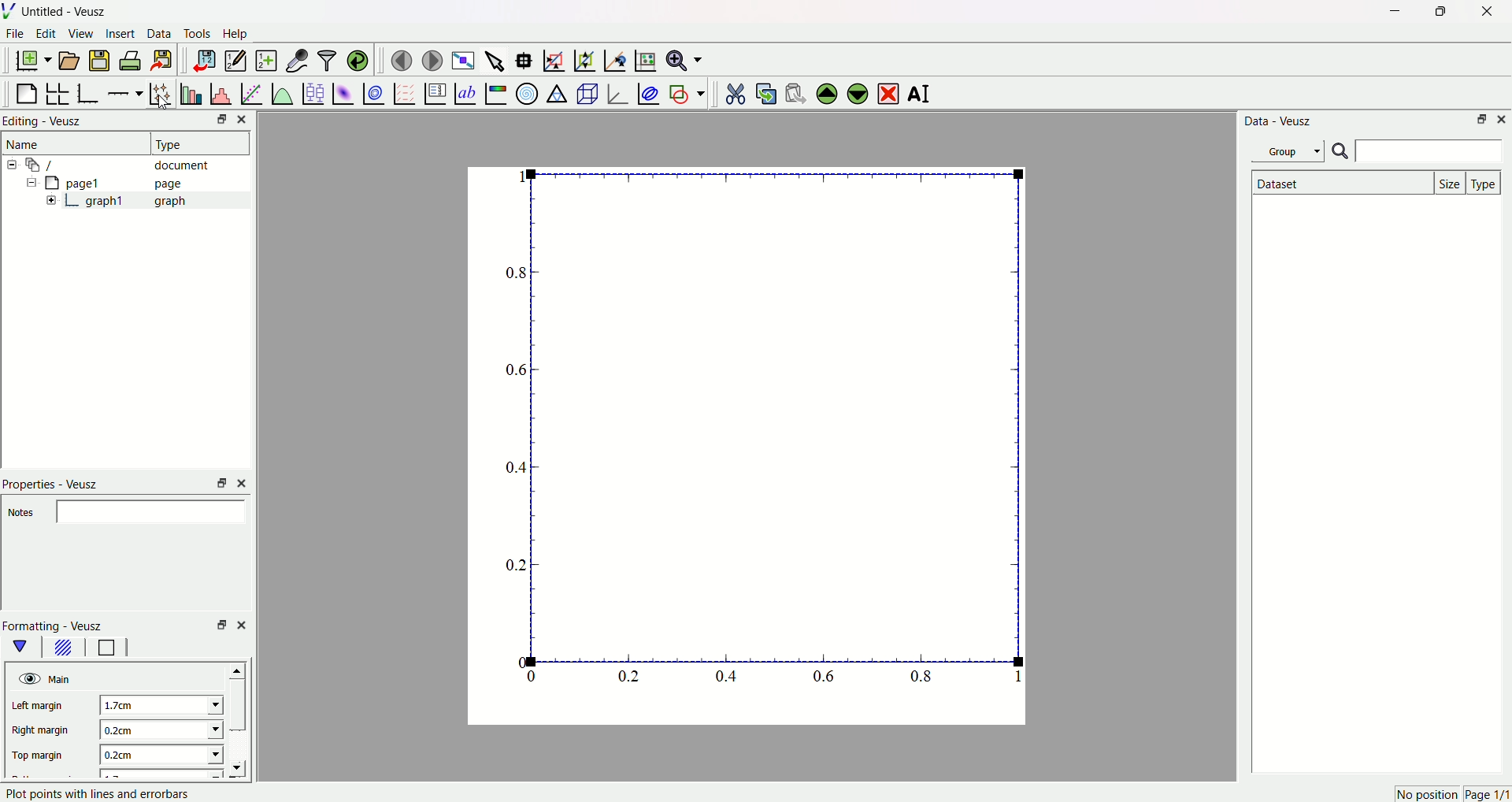 This screenshot has width=1512, height=802. What do you see at coordinates (217, 482) in the screenshot?
I see `minimise` at bounding box center [217, 482].